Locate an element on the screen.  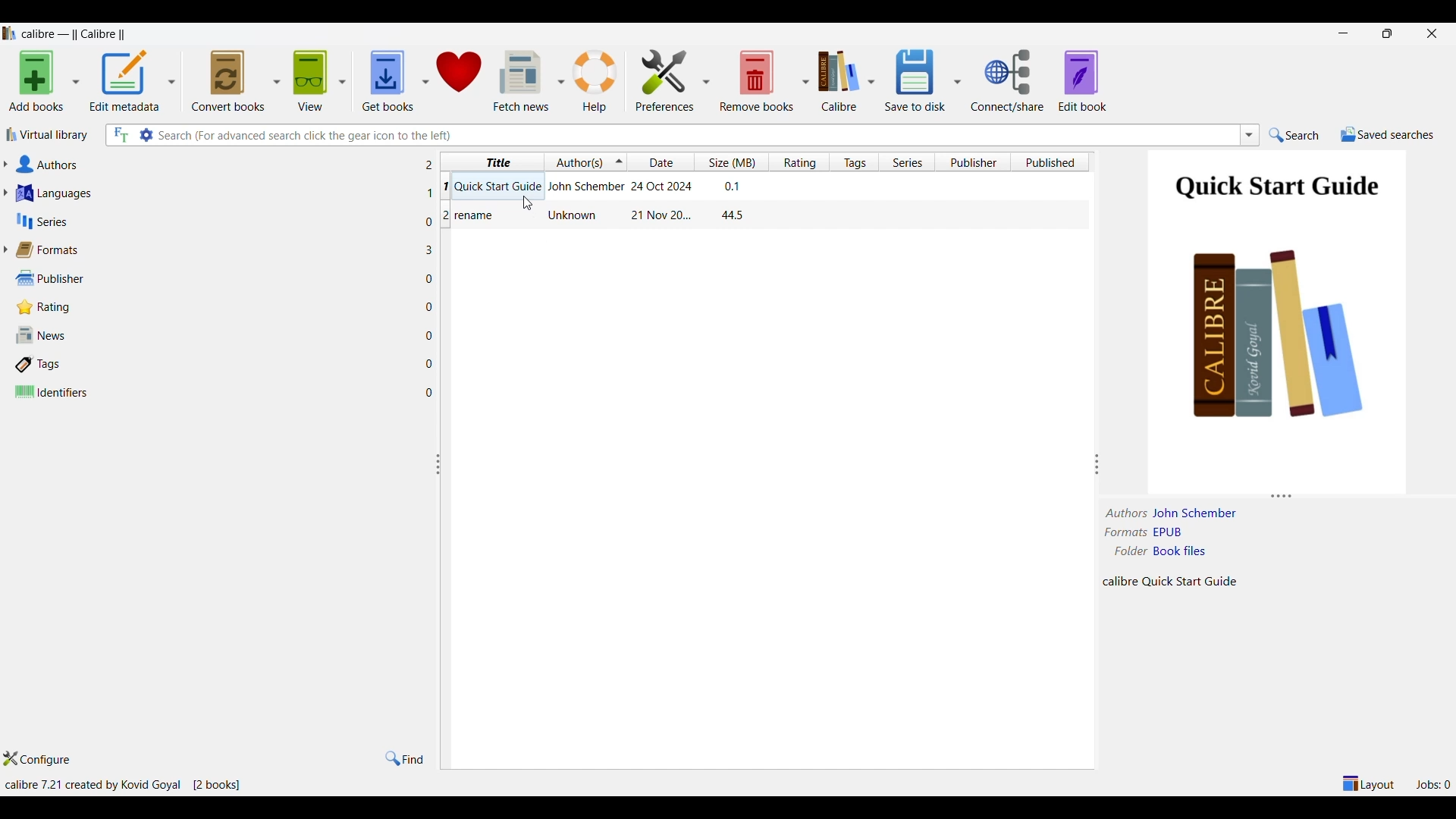
folder is located at coordinates (1131, 551).